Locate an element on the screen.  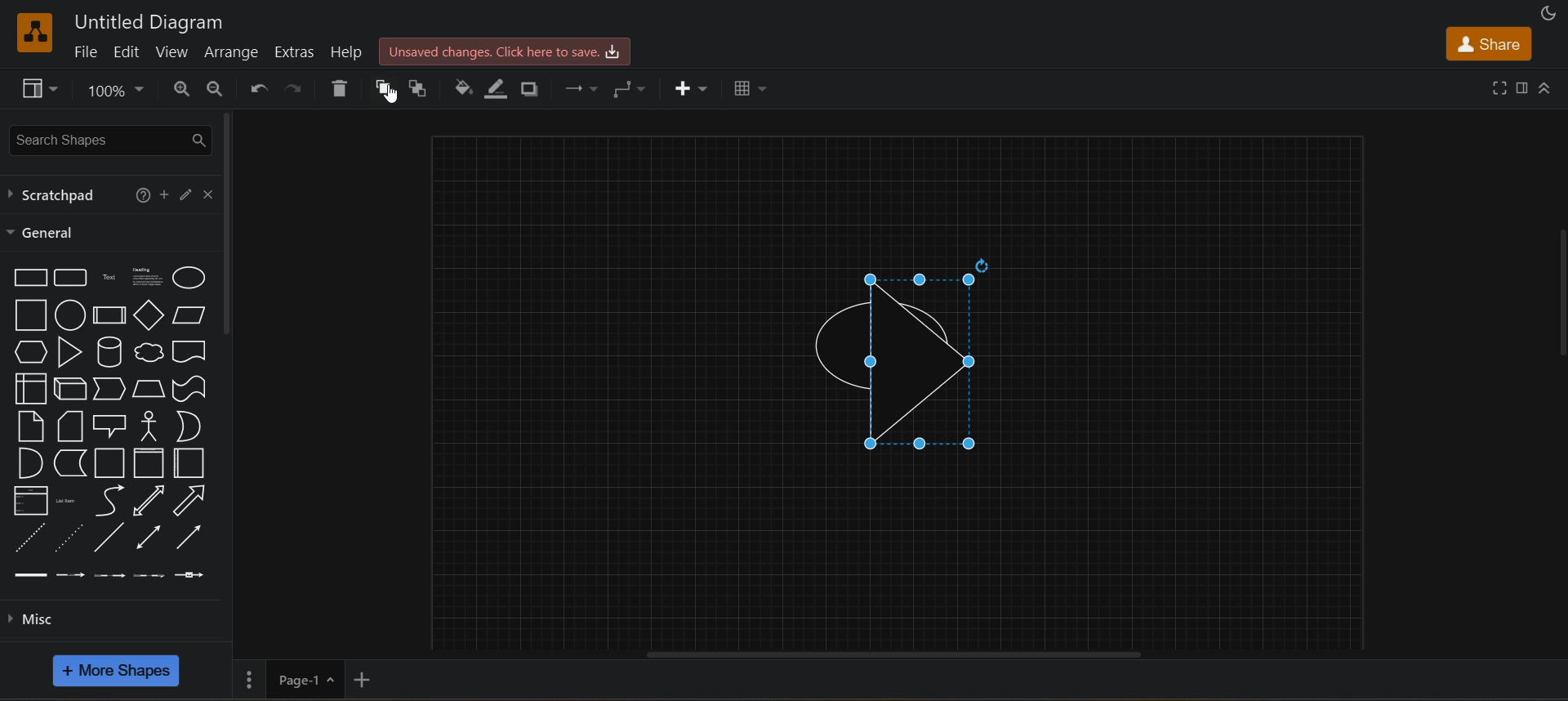
arrange is located at coordinates (234, 52).